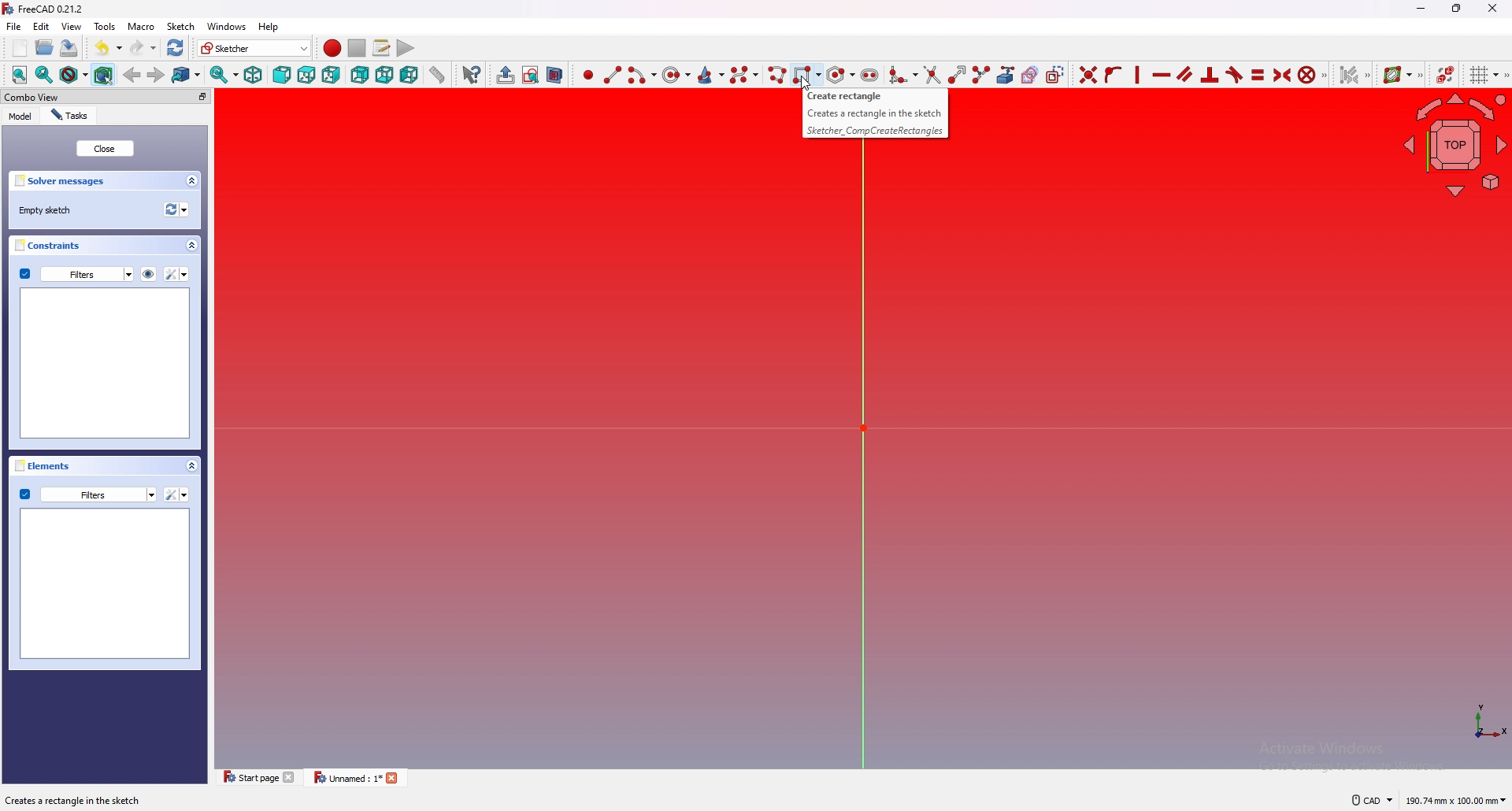  Describe the element at coordinates (1488, 724) in the screenshot. I see `axis` at that location.